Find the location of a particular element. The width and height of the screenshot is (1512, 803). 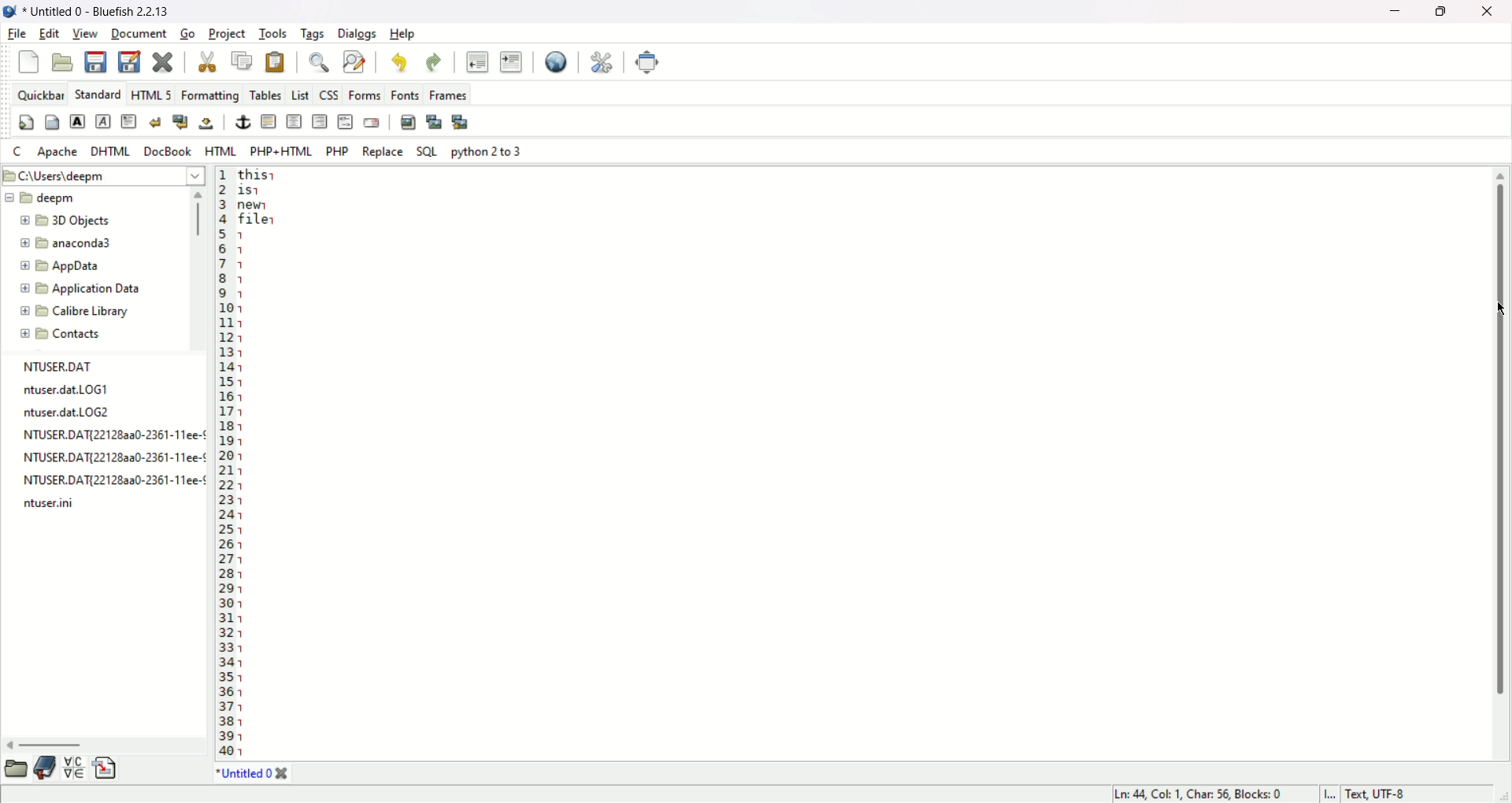

standard is located at coordinates (97, 95).